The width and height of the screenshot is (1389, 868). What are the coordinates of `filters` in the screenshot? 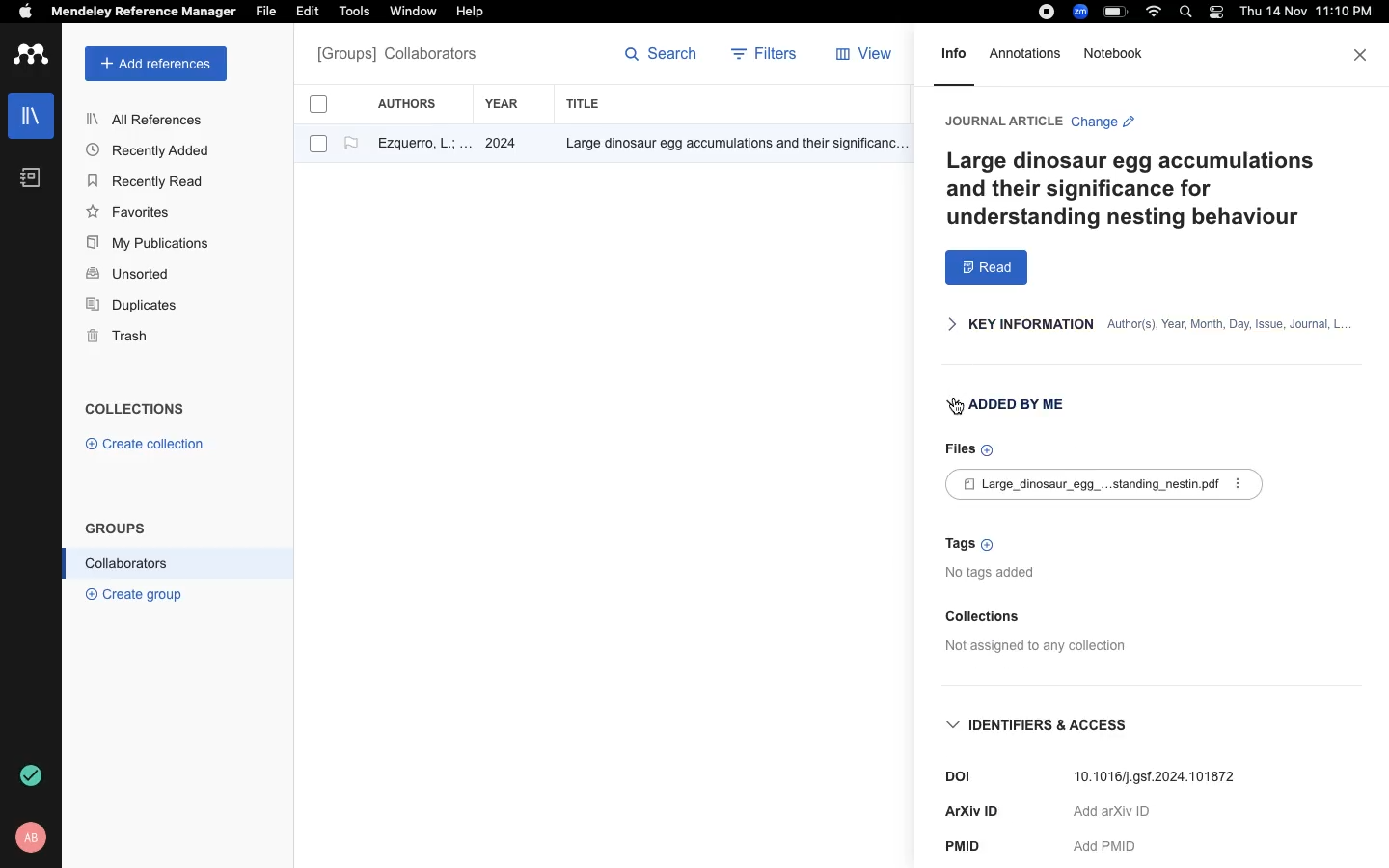 It's located at (767, 56).